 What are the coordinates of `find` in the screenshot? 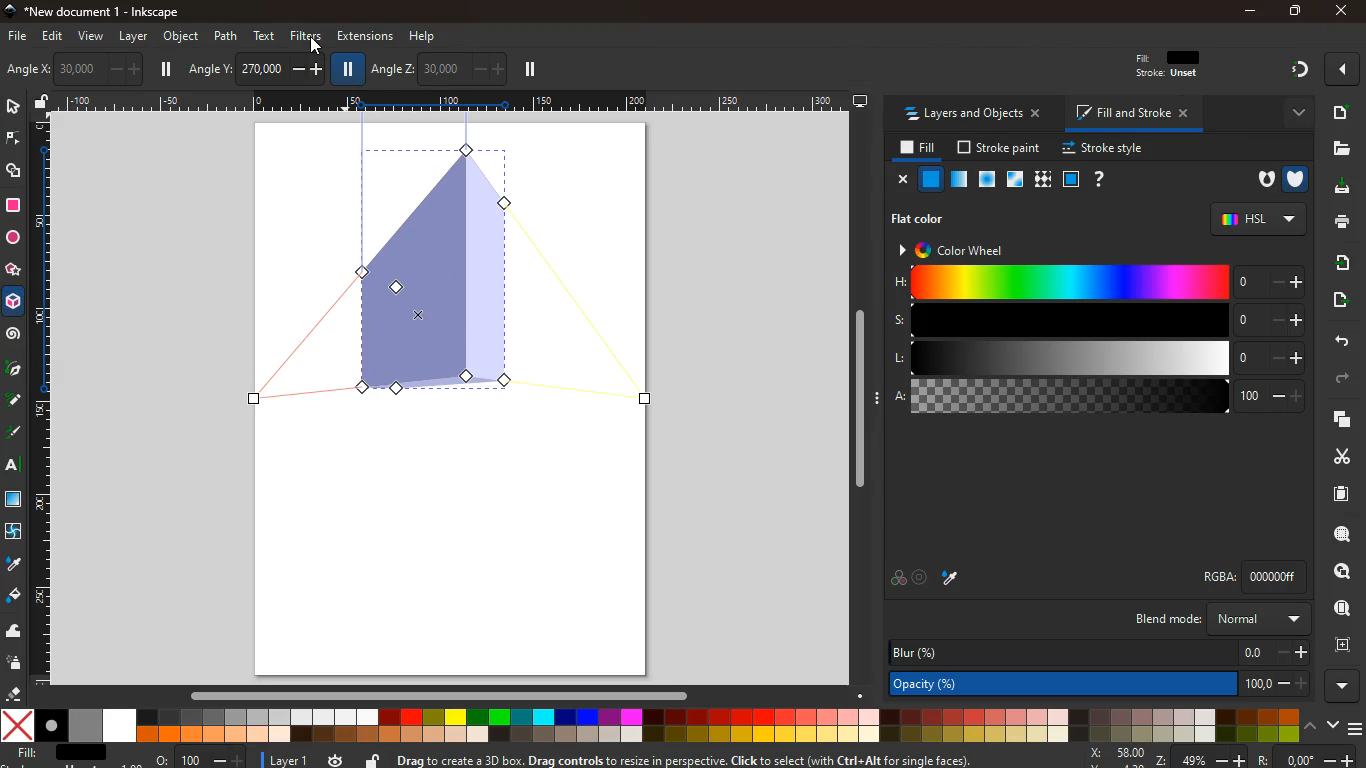 It's located at (1343, 571).